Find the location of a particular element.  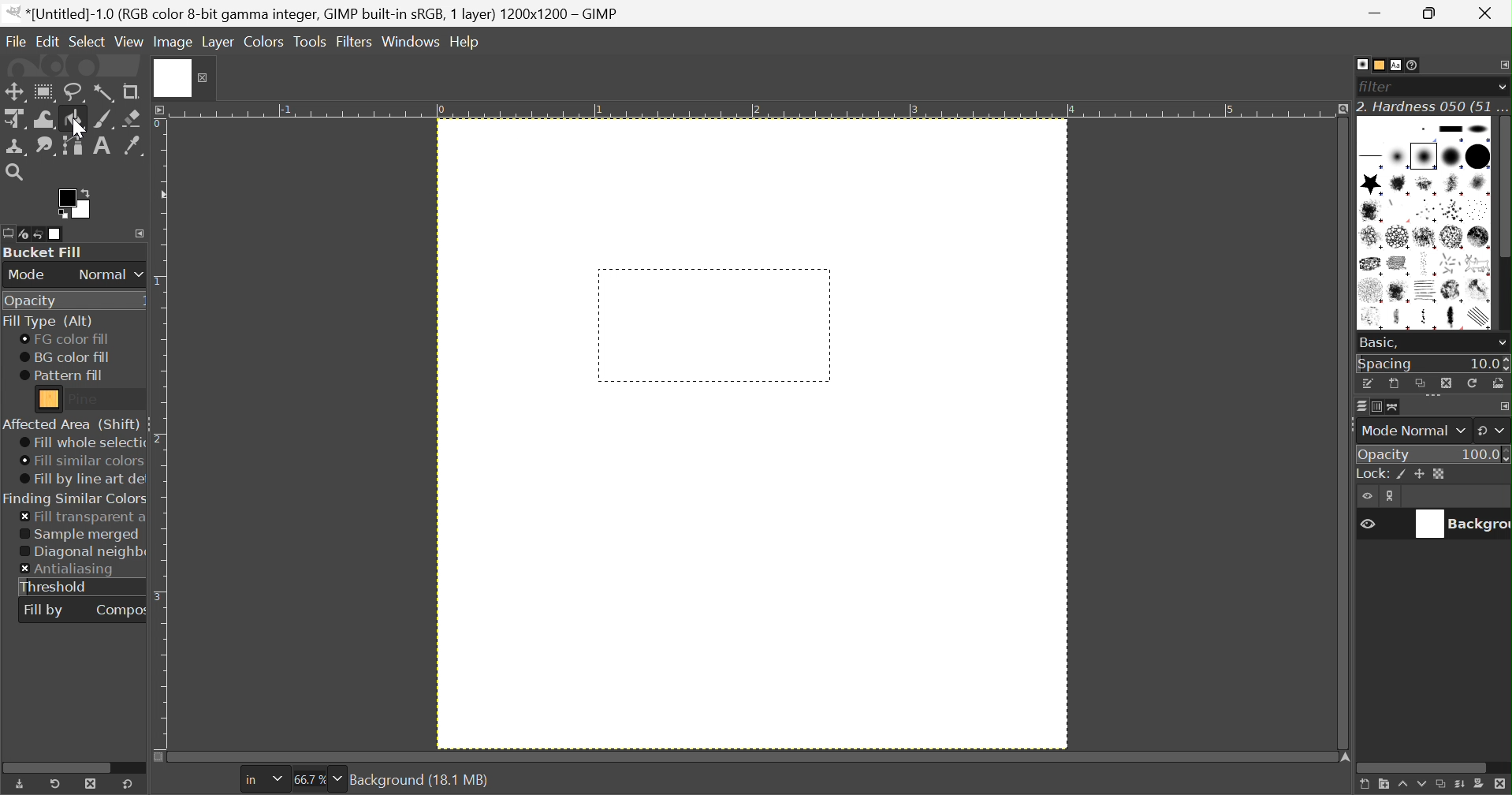

Configure this tab is located at coordinates (1503, 65).